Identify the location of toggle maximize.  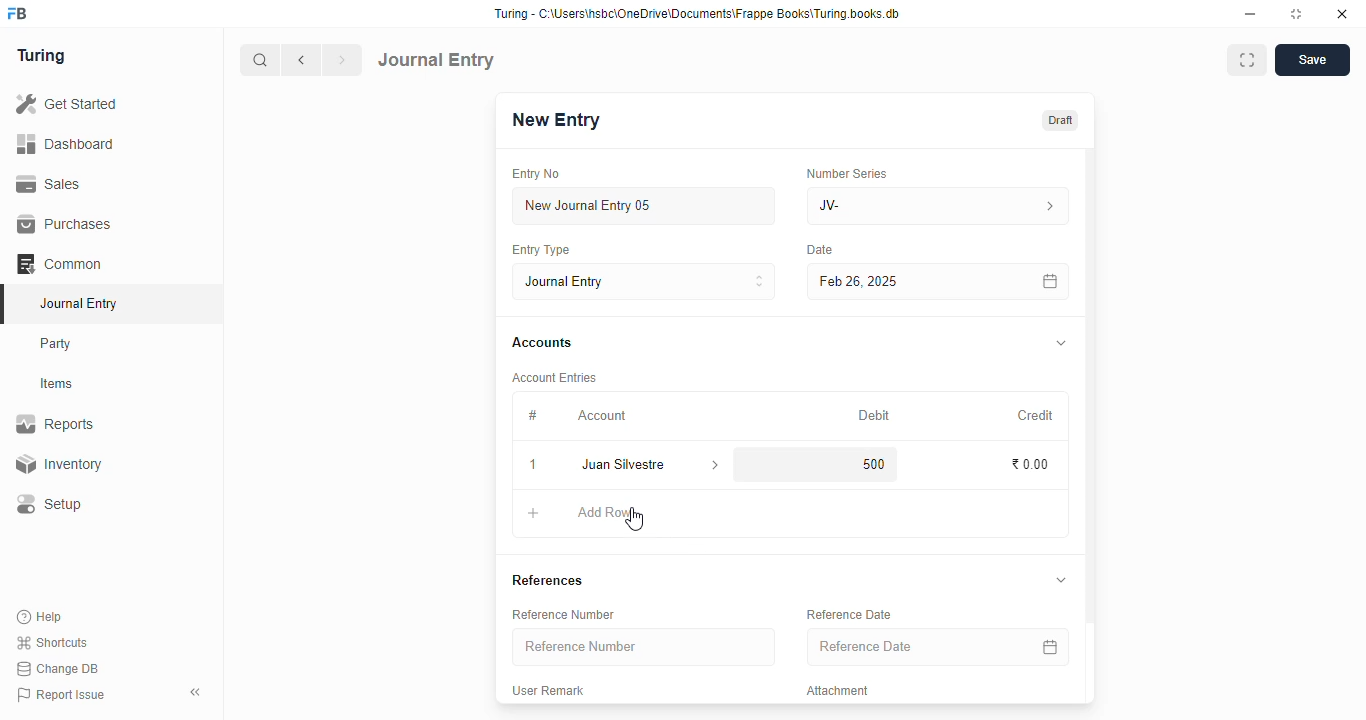
(1296, 14).